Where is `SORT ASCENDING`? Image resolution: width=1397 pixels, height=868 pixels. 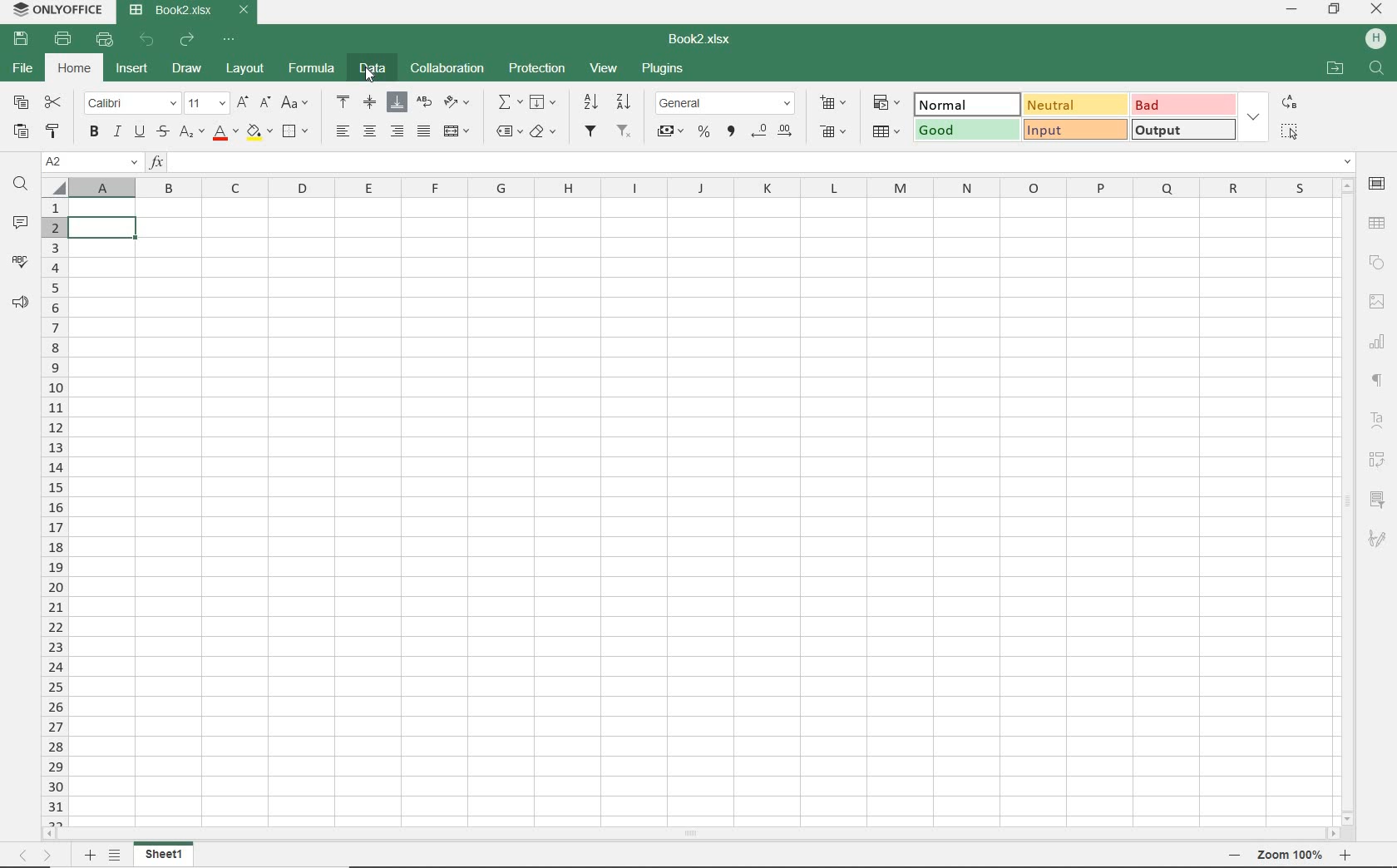
SORT ASCENDING is located at coordinates (623, 101).